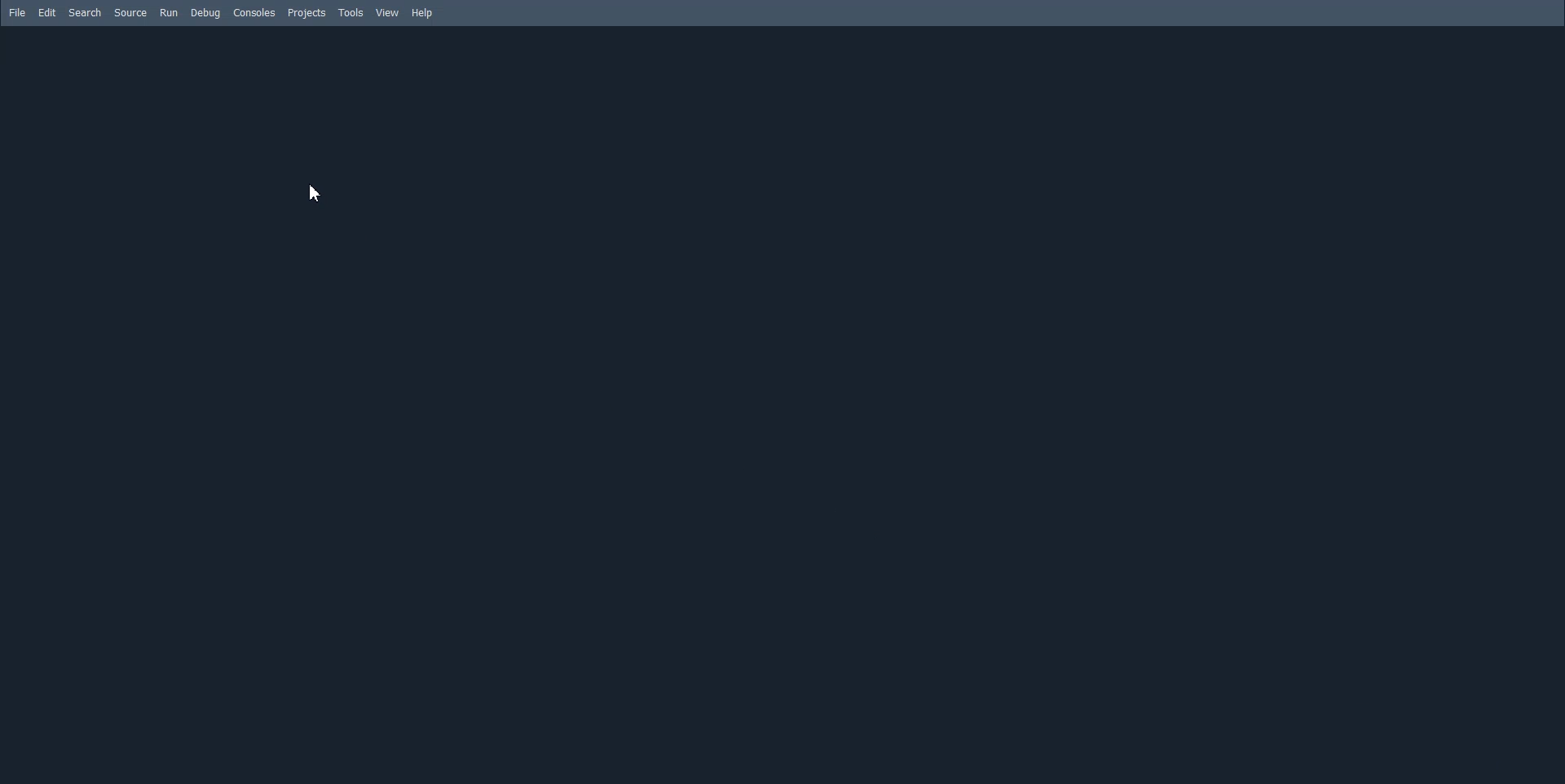 The height and width of the screenshot is (784, 1565). I want to click on Source, so click(131, 13).